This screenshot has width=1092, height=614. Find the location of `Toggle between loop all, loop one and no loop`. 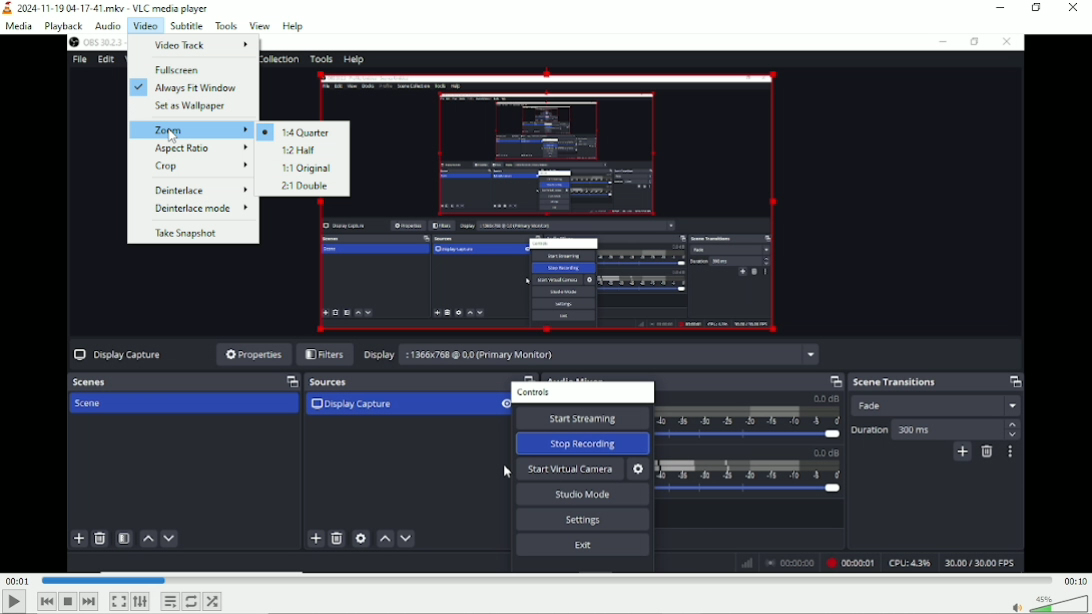

Toggle between loop all, loop one and no loop is located at coordinates (192, 601).